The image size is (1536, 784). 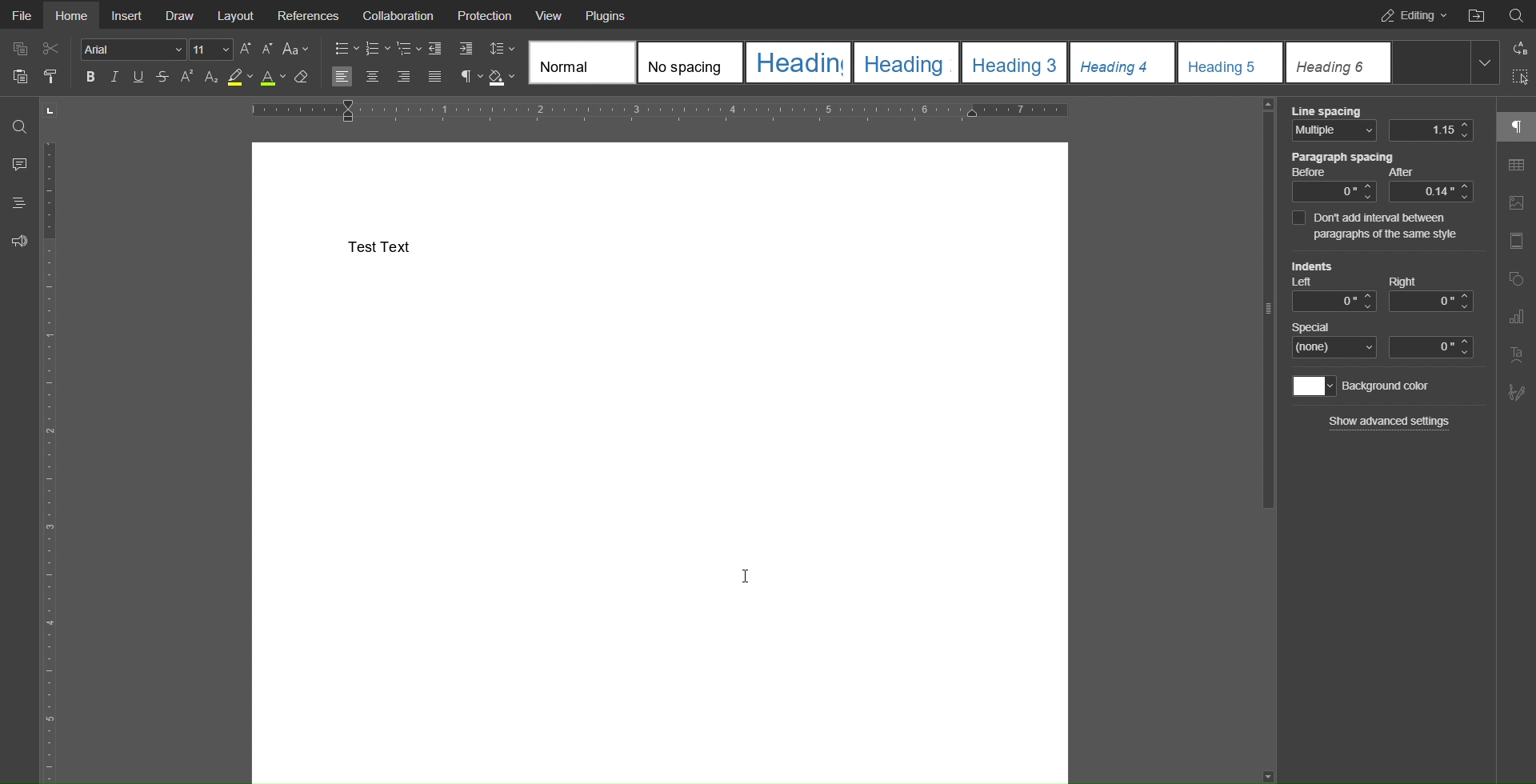 I want to click on Image Settings, so click(x=1515, y=206).